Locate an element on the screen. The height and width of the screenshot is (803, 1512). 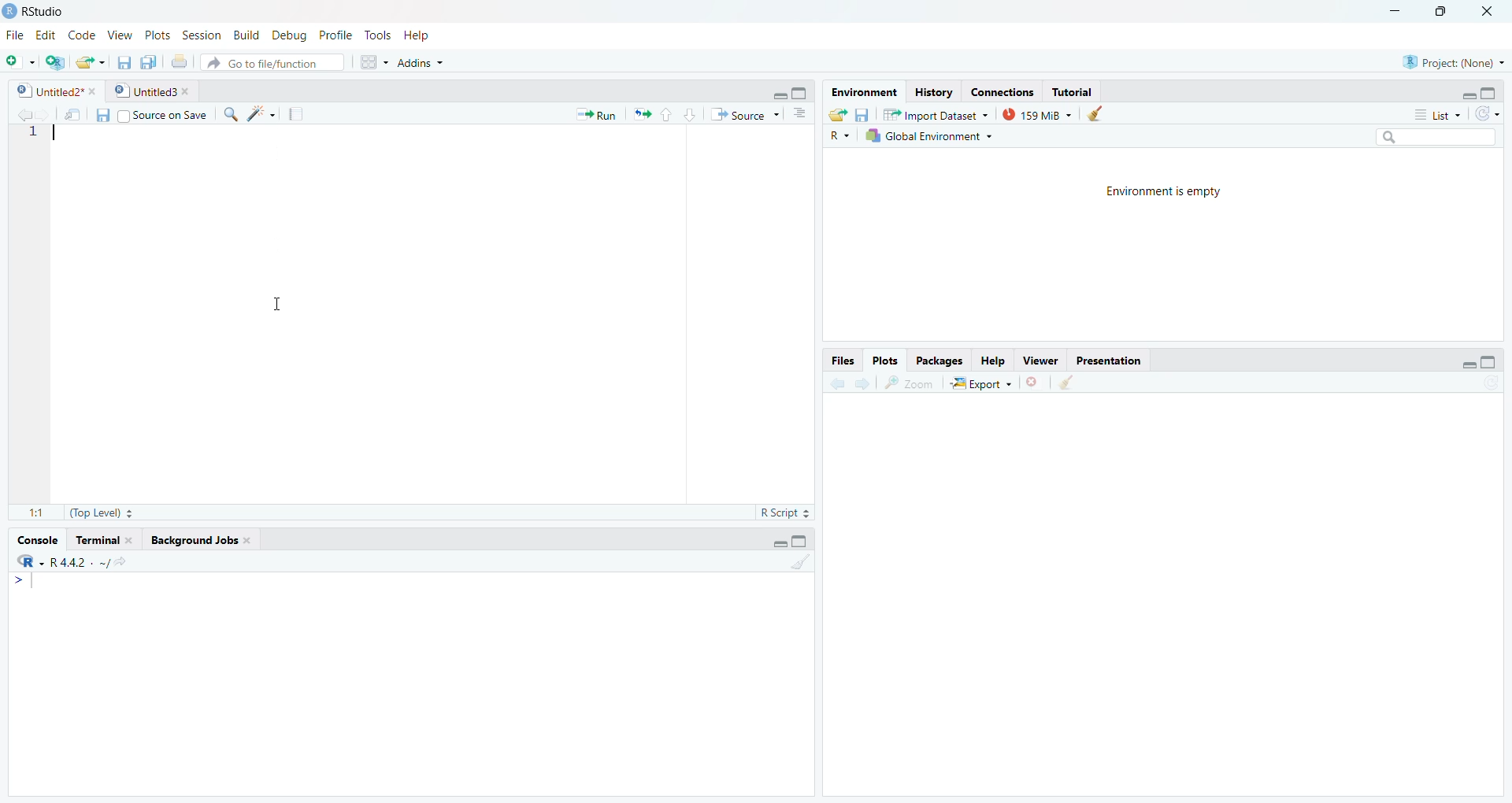
1 is located at coordinates (35, 132).